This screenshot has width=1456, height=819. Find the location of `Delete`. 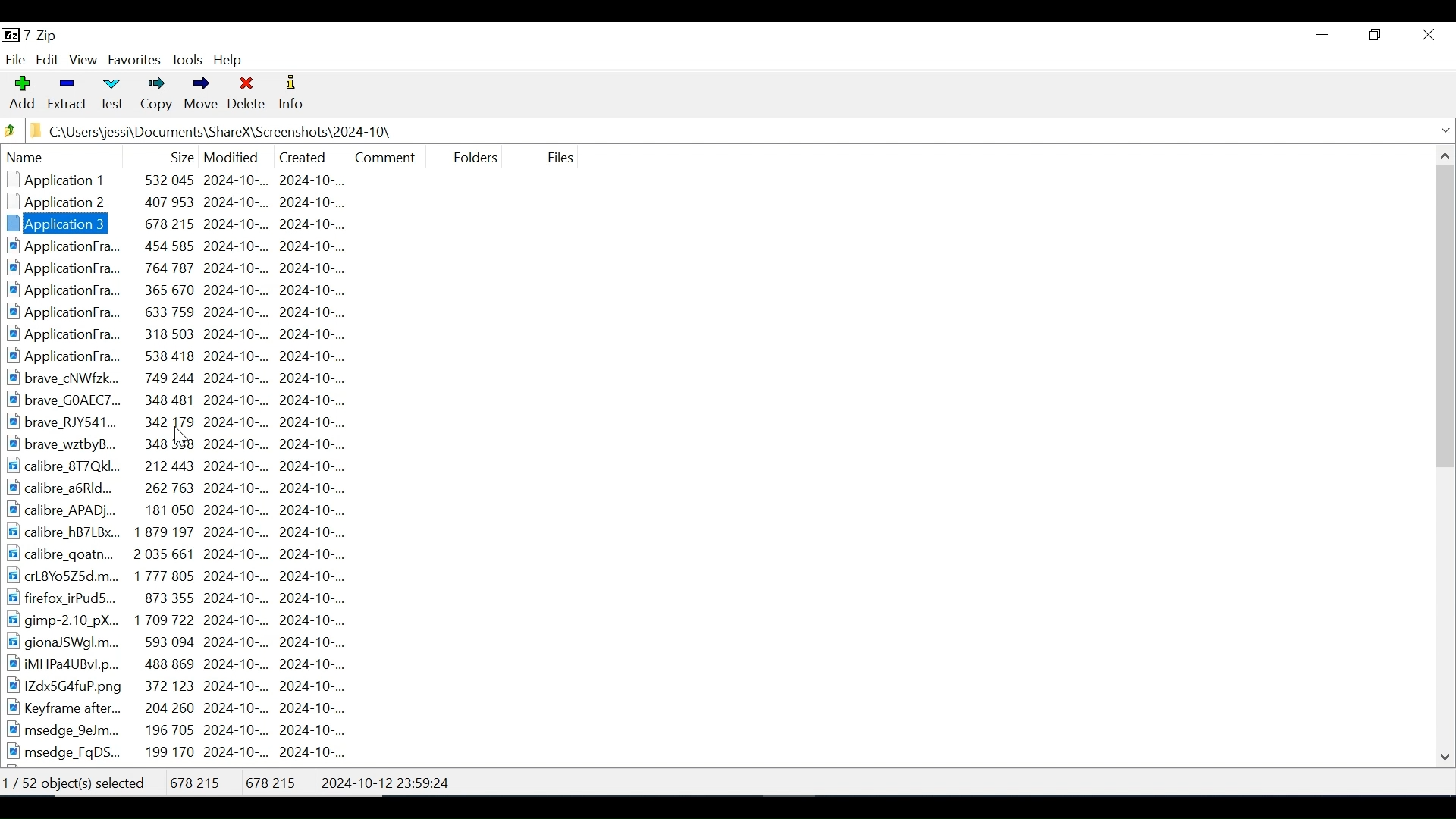

Delete is located at coordinates (247, 96).